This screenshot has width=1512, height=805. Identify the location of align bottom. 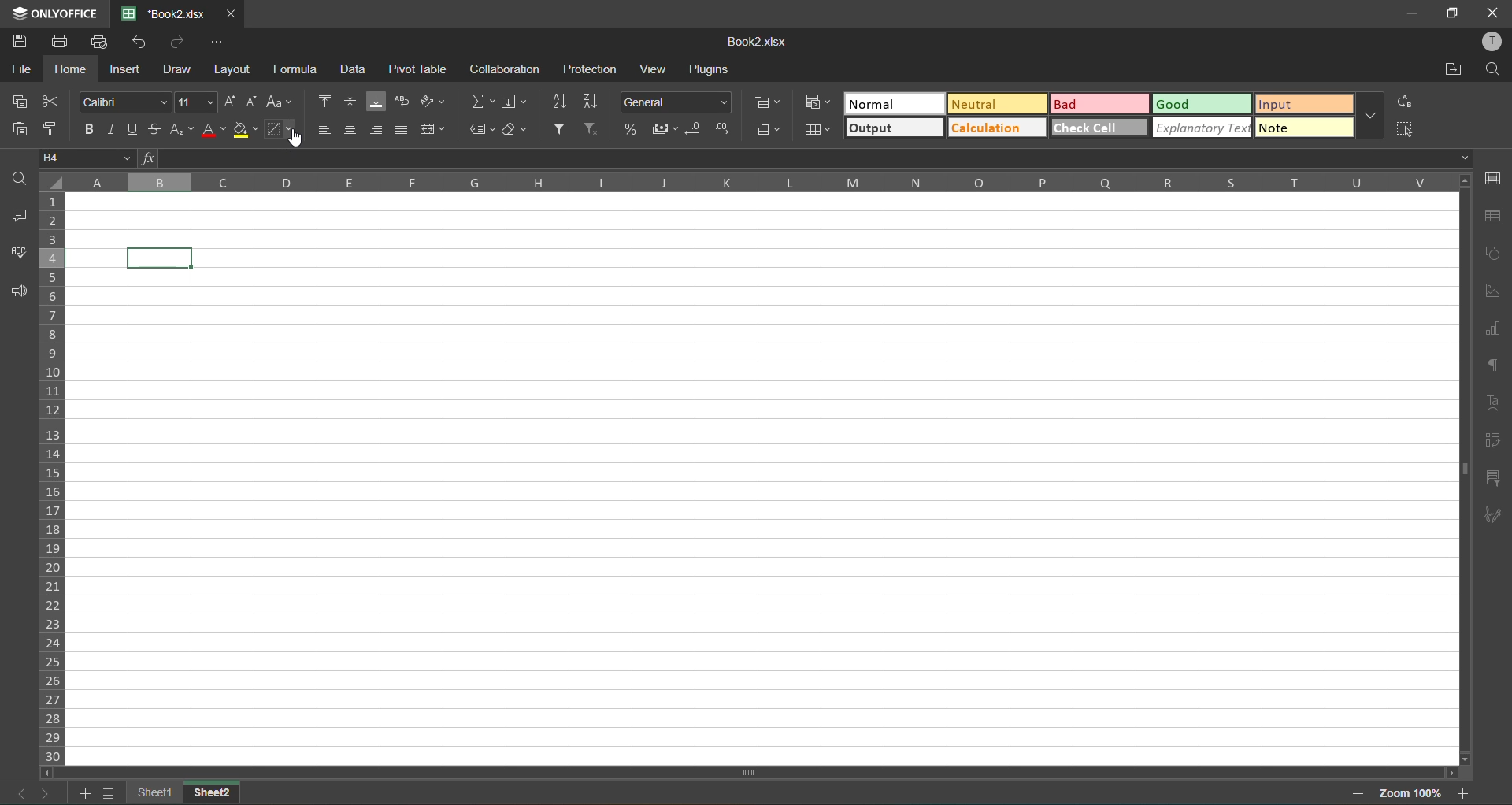
(376, 102).